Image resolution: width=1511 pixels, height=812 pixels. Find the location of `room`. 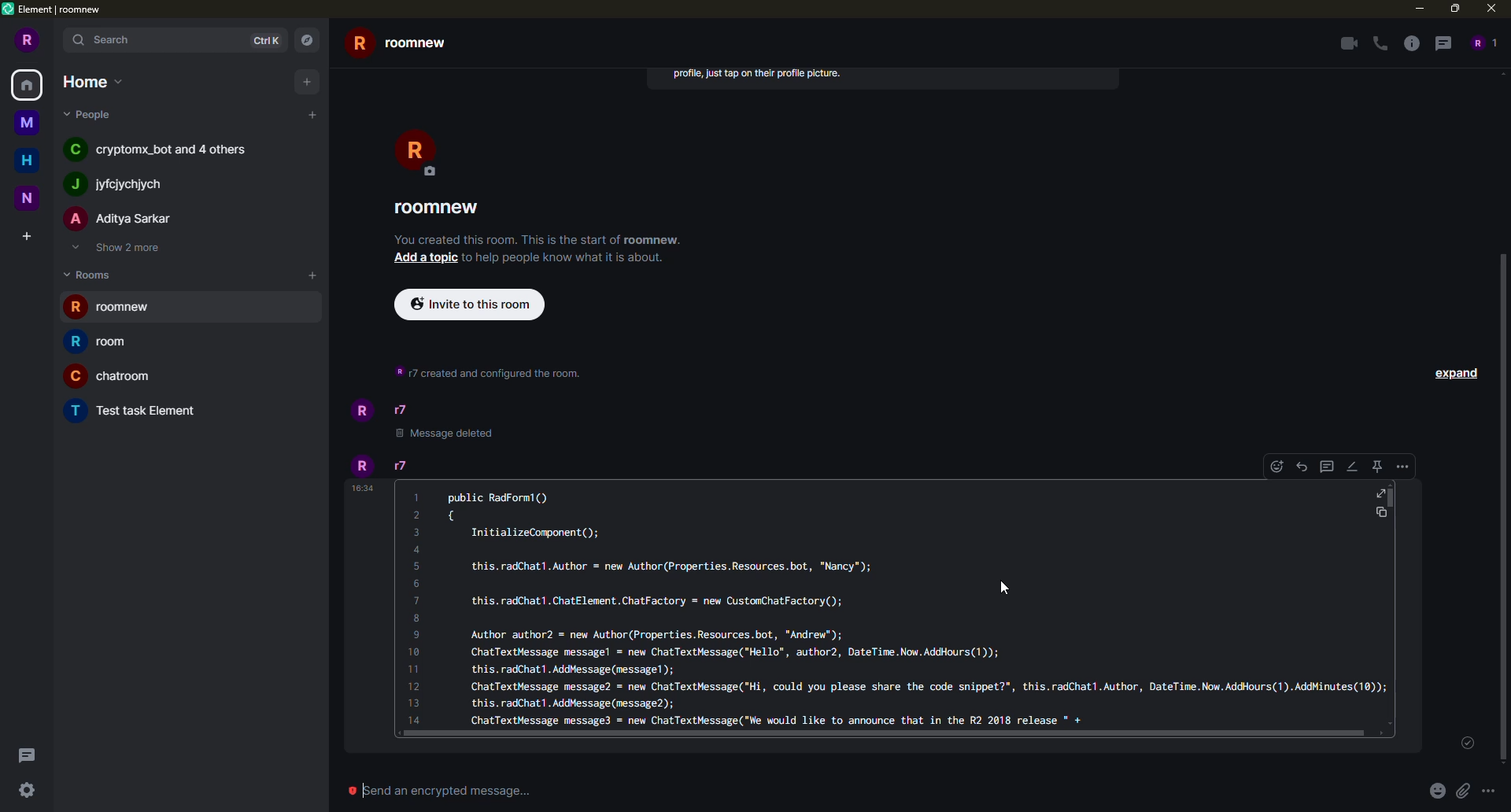

room is located at coordinates (110, 341).